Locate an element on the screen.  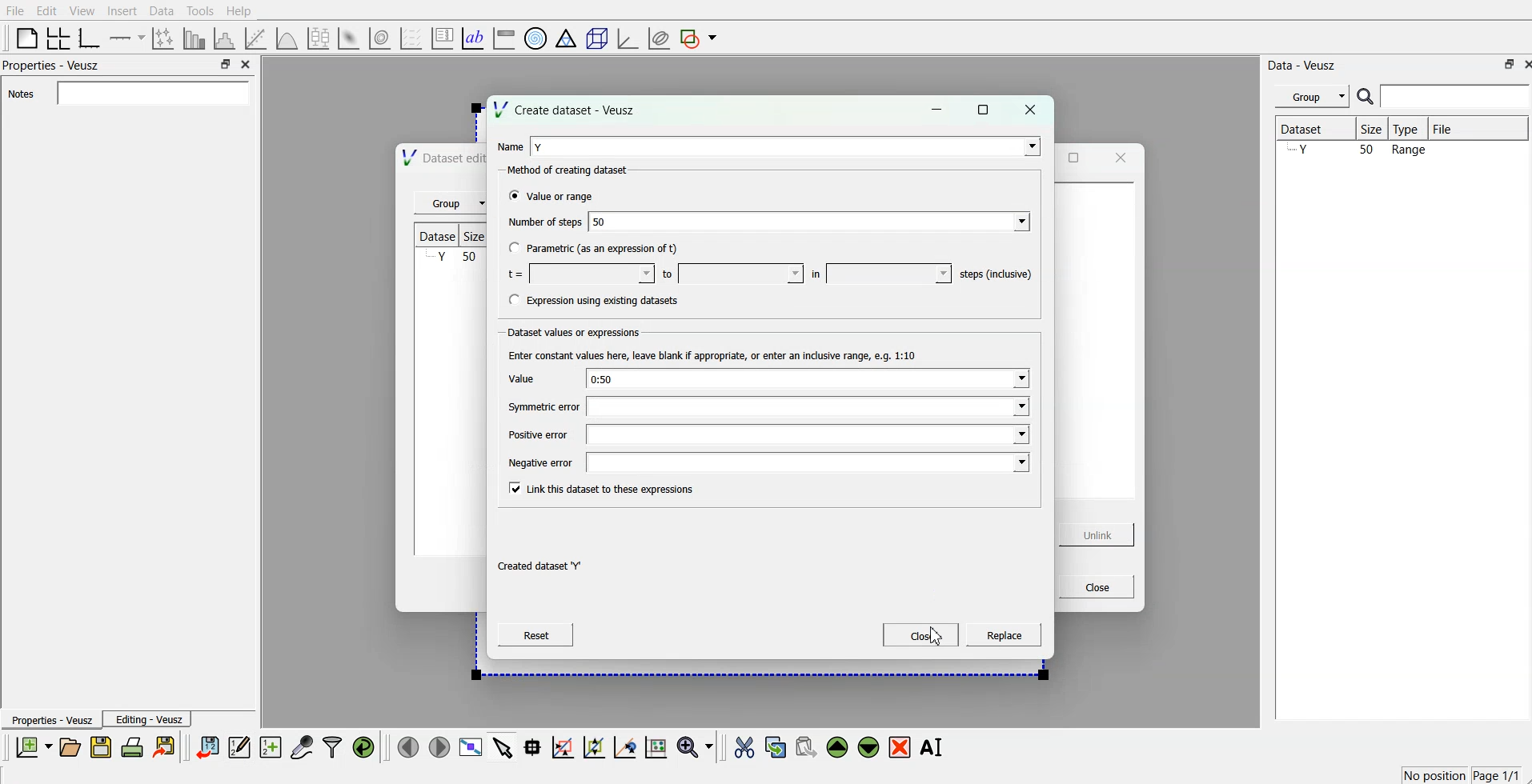
click to zoom out graph axes is located at coordinates (595, 748).